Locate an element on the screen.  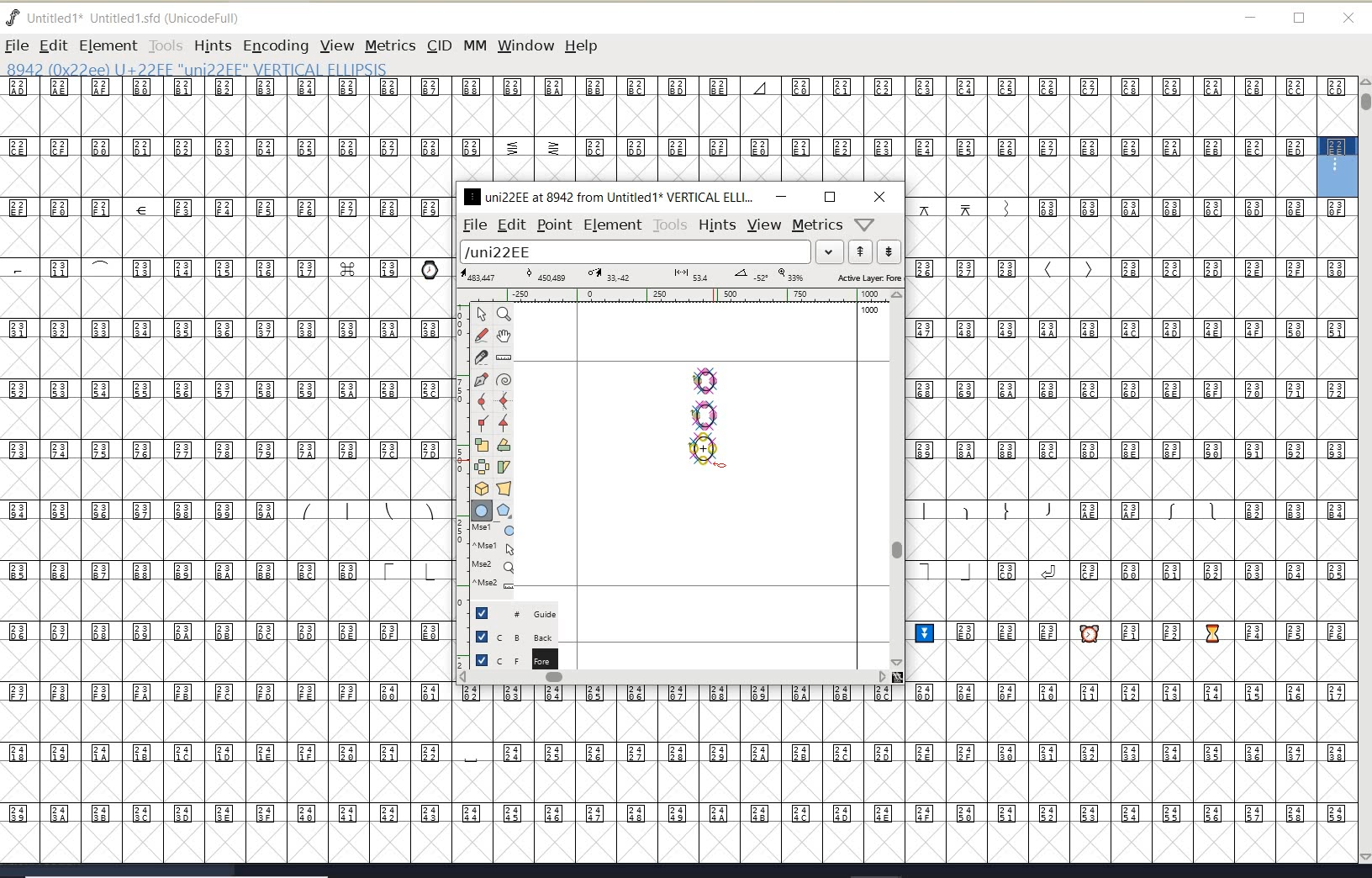
GLYPHY CHARACTERS & NUMBERS is located at coordinates (455, 773).